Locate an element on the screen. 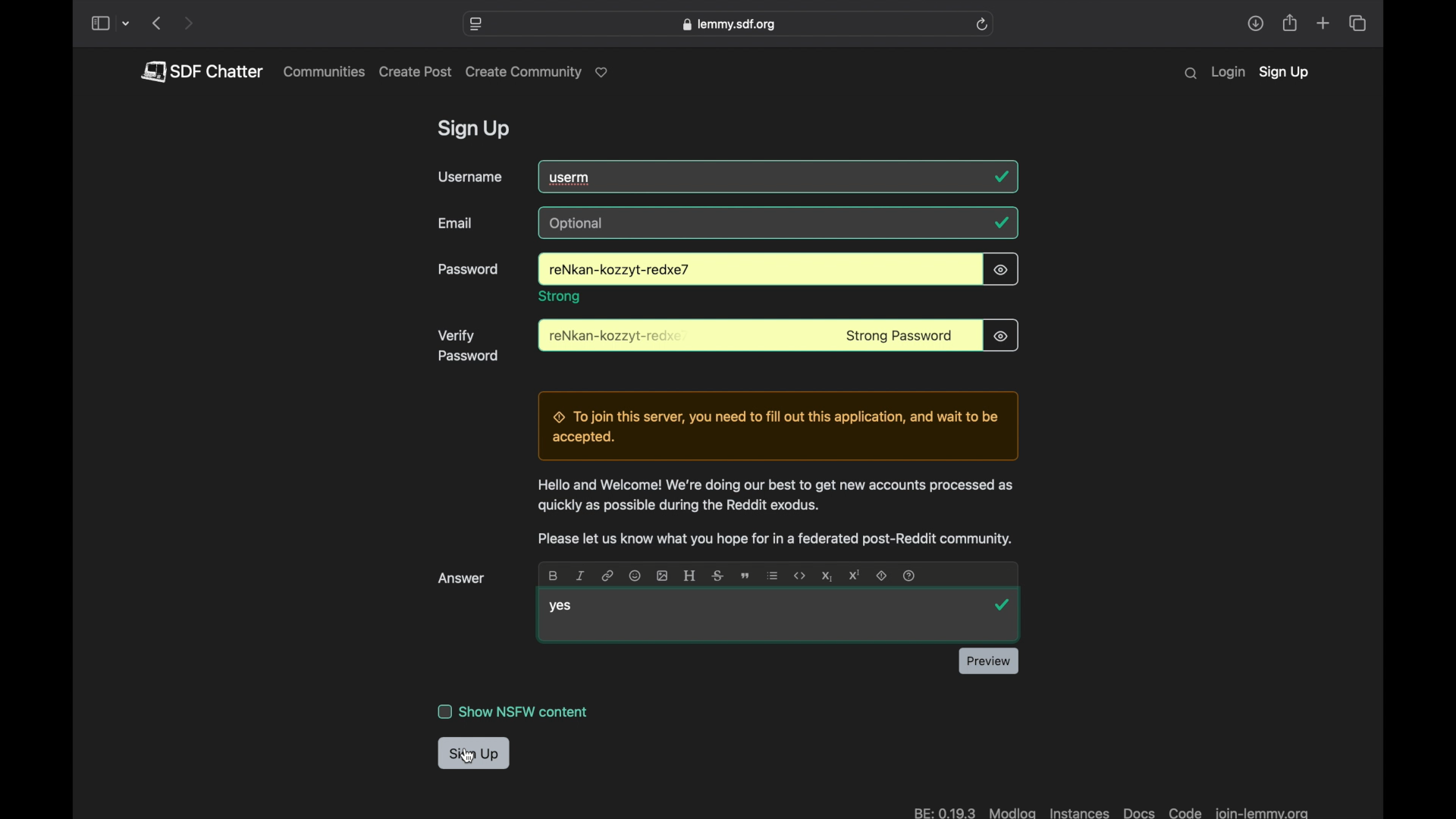  code is located at coordinates (1185, 811).